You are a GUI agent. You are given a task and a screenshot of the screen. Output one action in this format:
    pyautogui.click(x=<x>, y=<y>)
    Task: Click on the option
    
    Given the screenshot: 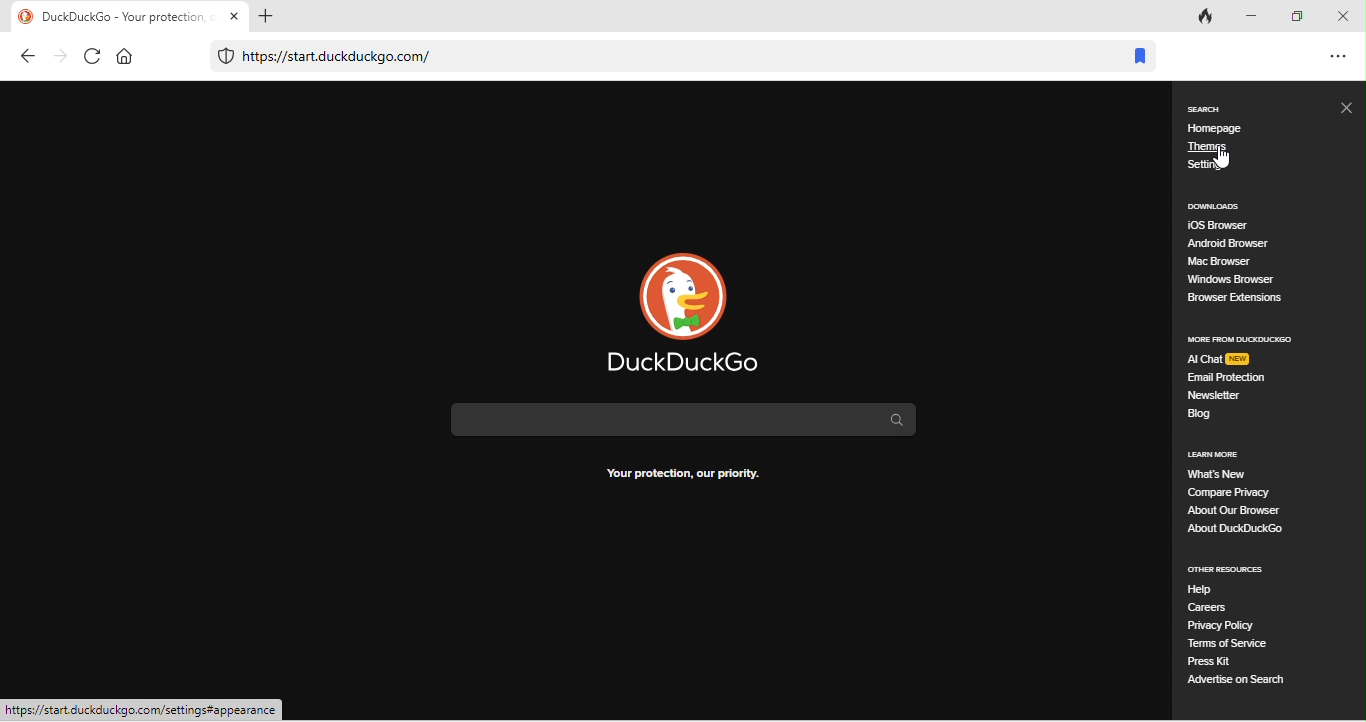 What is the action you would take?
    pyautogui.click(x=1336, y=55)
    